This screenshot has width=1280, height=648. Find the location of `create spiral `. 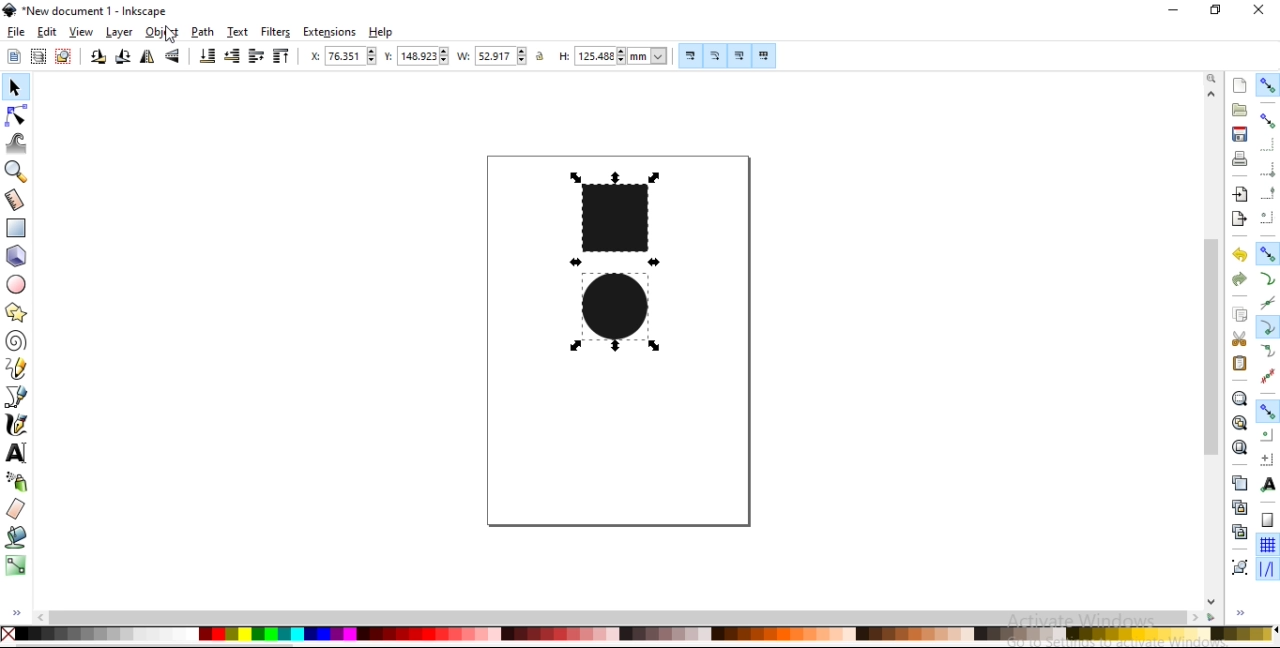

create spiral  is located at coordinates (14, 340).